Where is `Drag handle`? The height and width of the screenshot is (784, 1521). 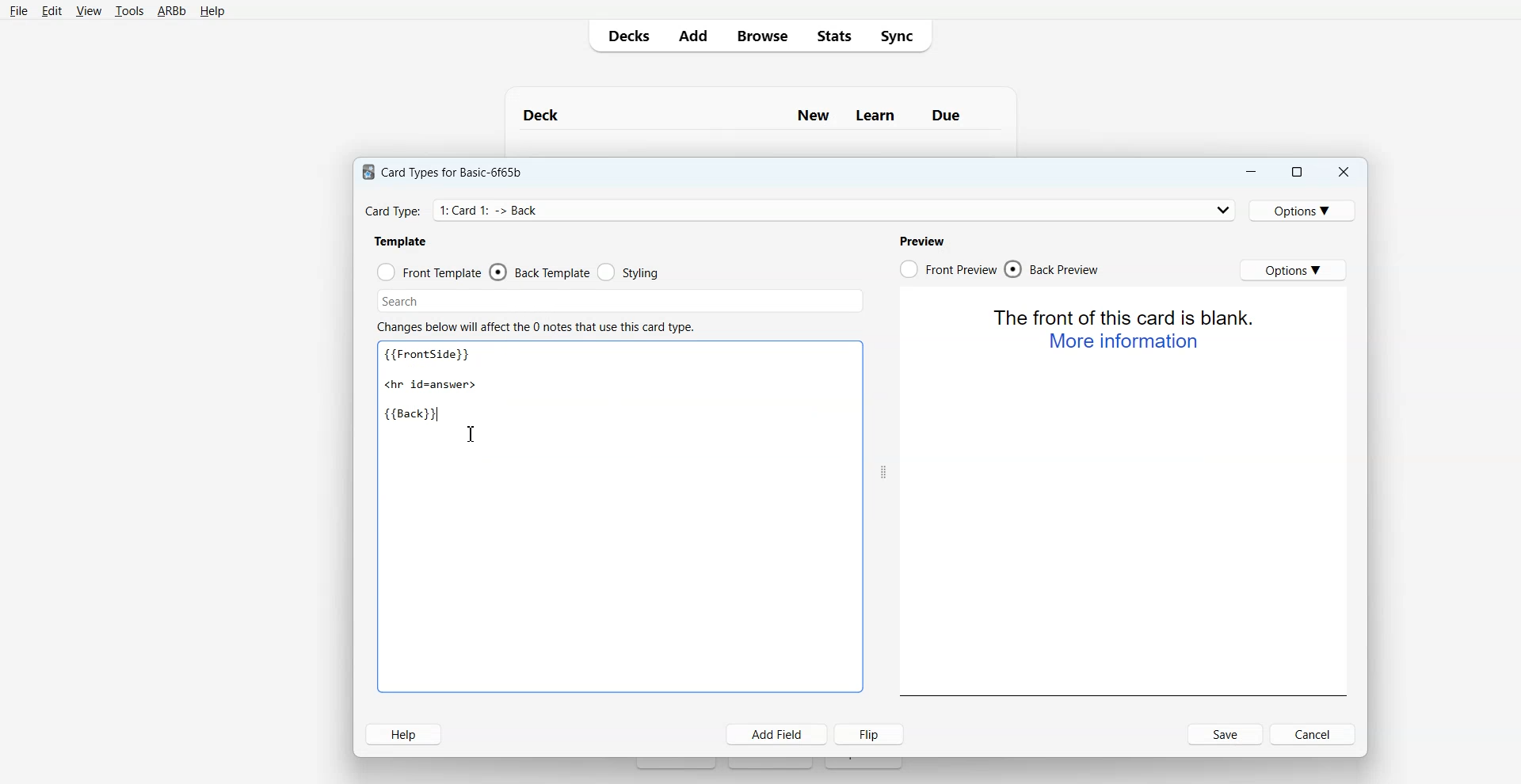
Drag handle is located at coordinates (883, 472).